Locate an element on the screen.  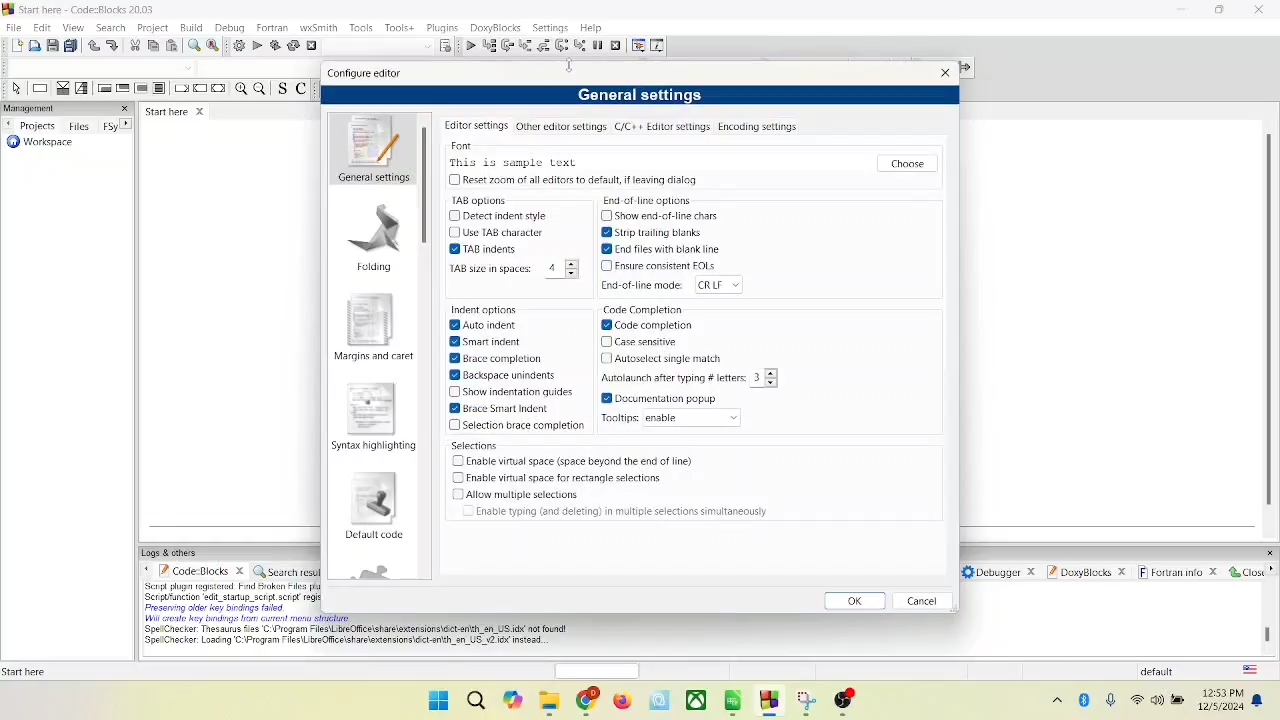
notification is located at coordinates (1260, 700).